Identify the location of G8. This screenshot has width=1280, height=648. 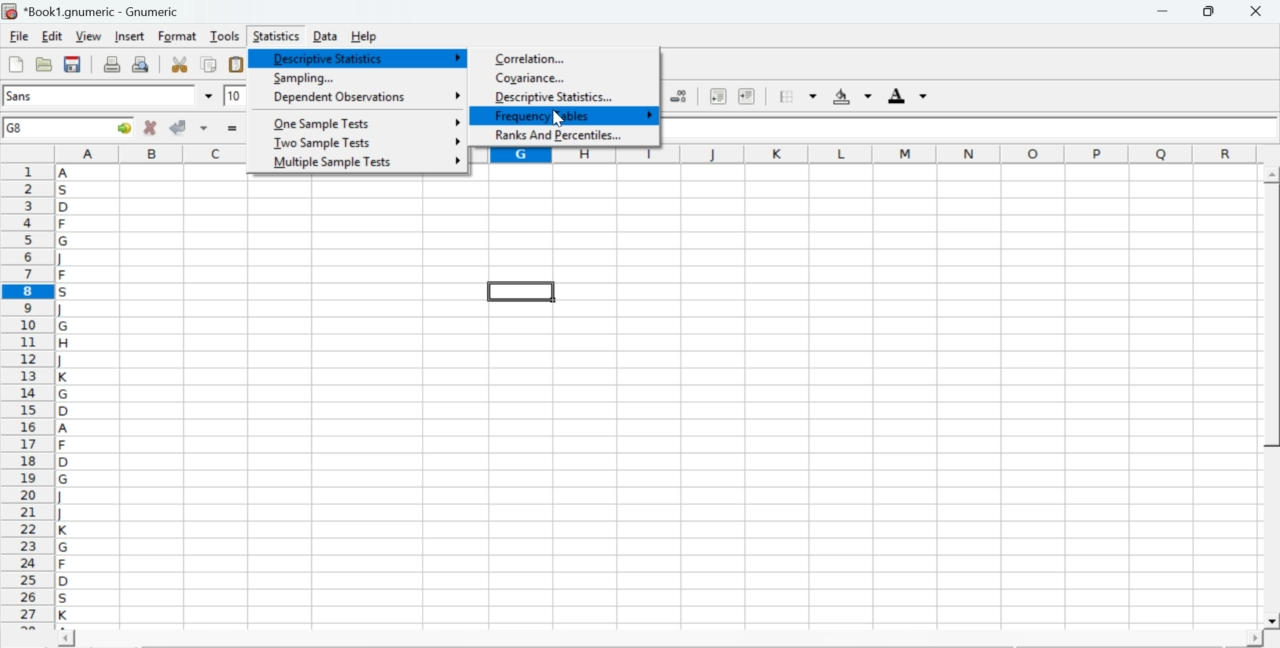
(17, 128).